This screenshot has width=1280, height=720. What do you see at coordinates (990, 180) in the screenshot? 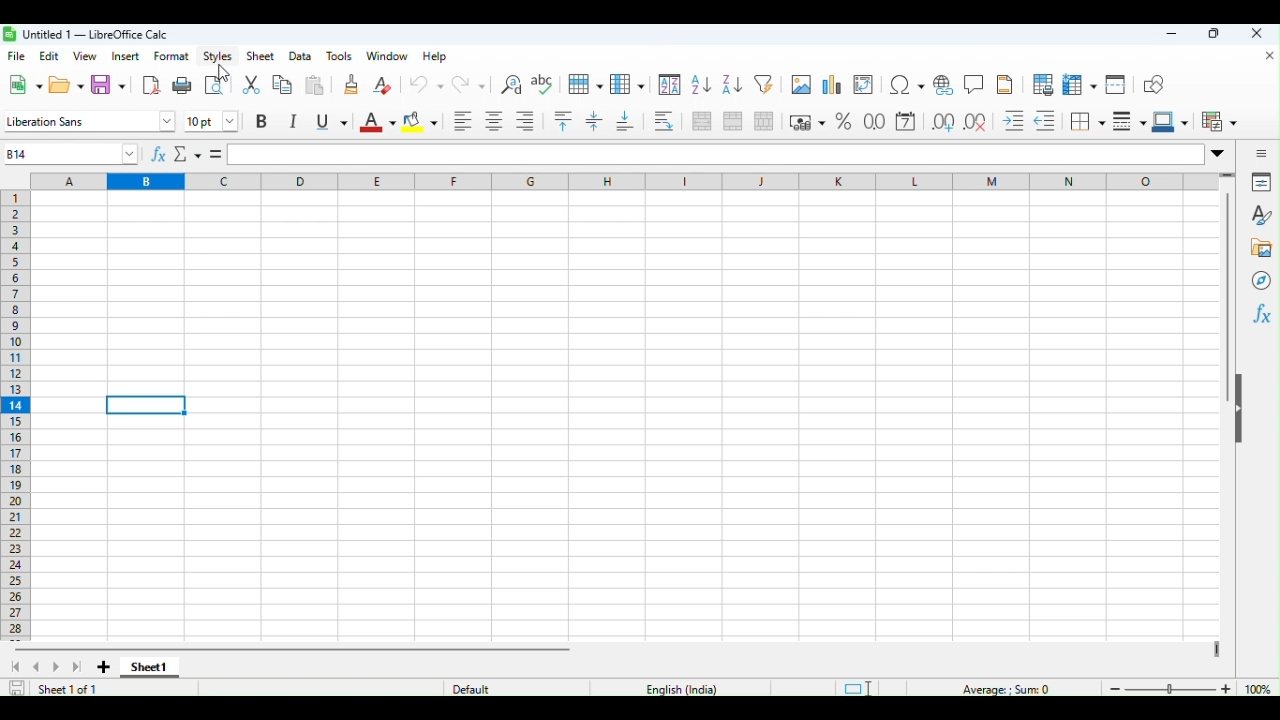
I see `m` at bounding box center [990, 180].